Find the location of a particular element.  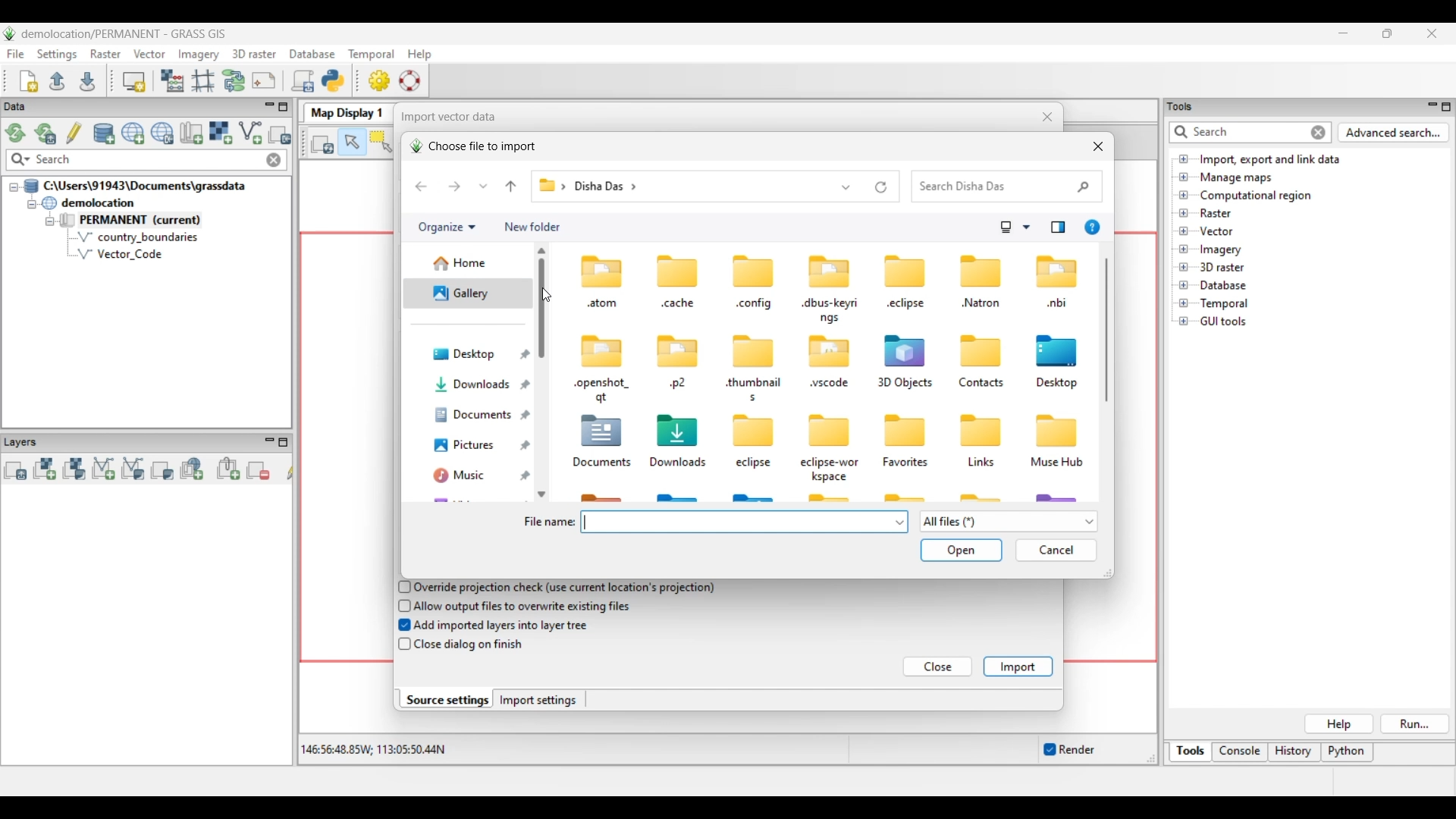

cache is located at coordinates (678, 303).